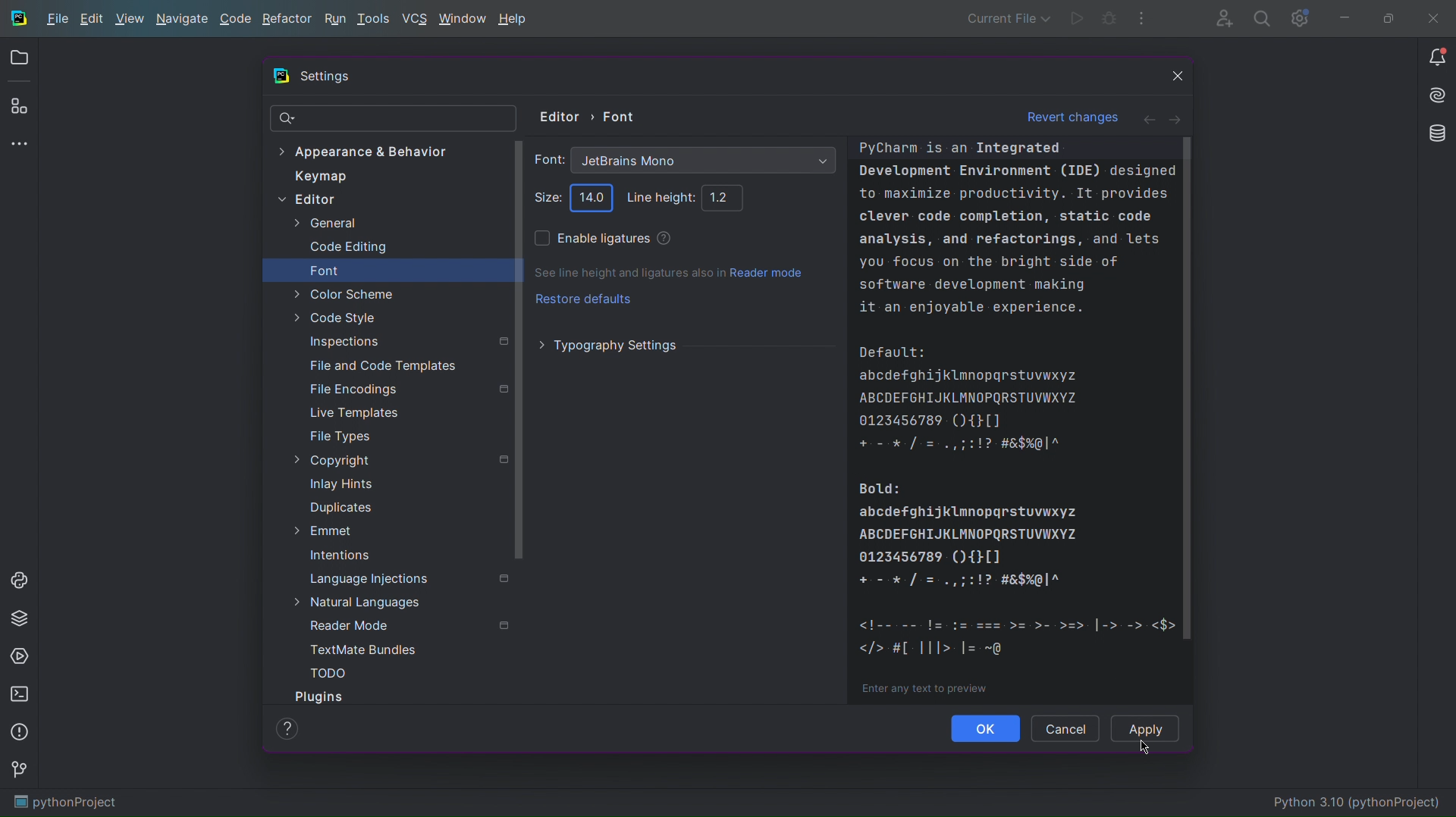  I want to click on pythonProject, so click(61, 803).